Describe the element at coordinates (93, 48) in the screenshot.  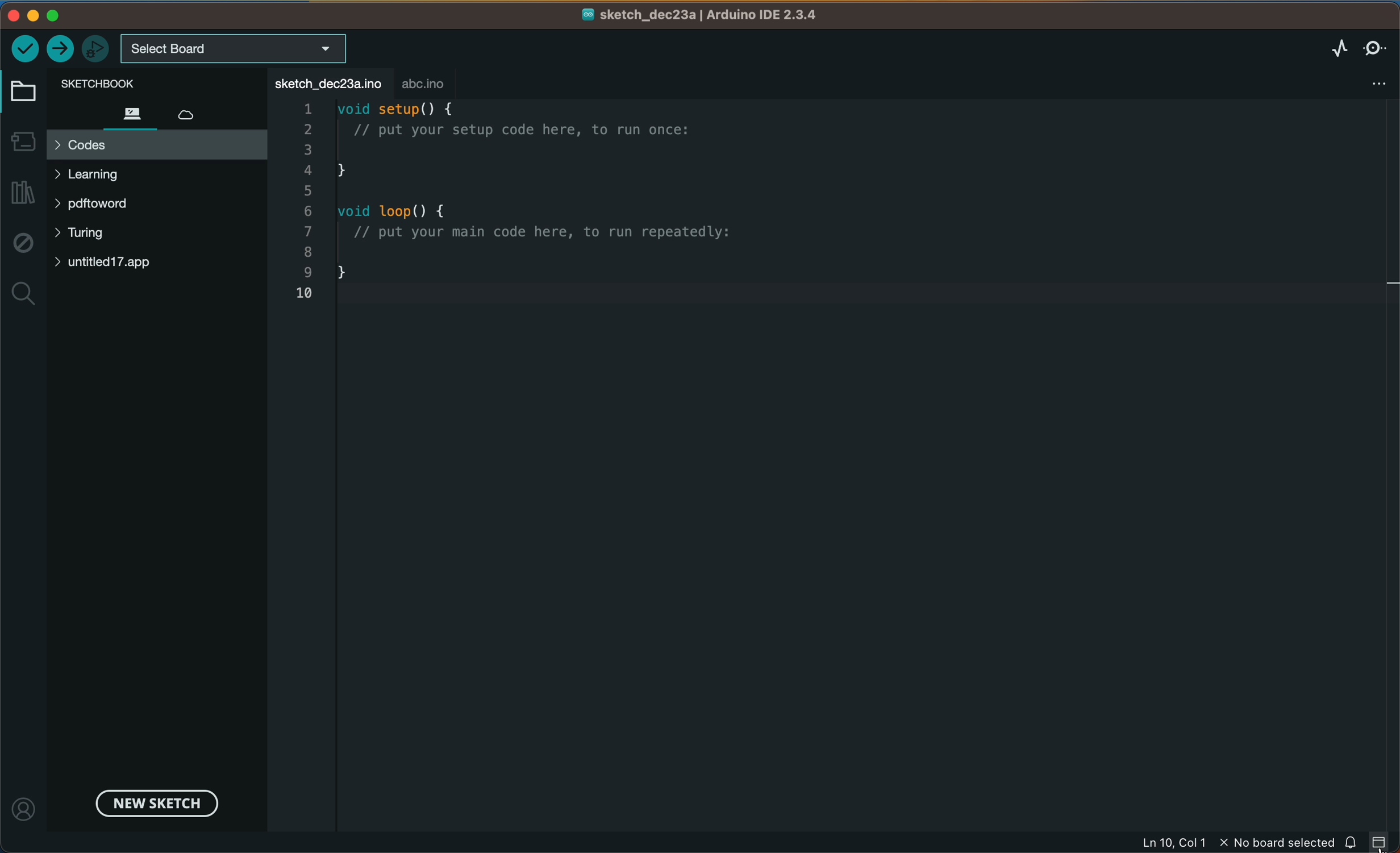
I see `debugger` at that location.